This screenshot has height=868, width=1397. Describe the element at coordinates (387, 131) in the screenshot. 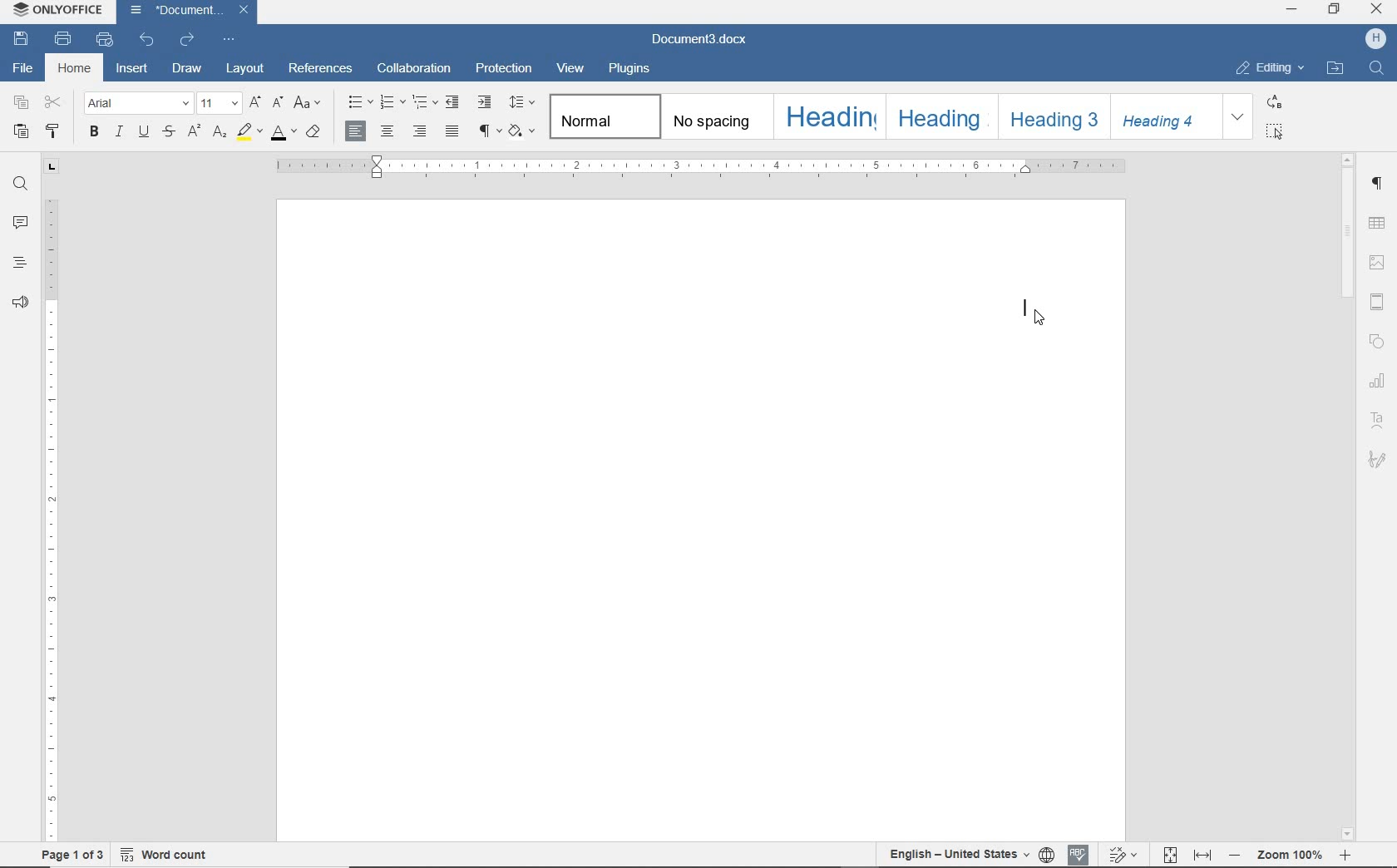

I see `ALIGN CENTER` at that location.